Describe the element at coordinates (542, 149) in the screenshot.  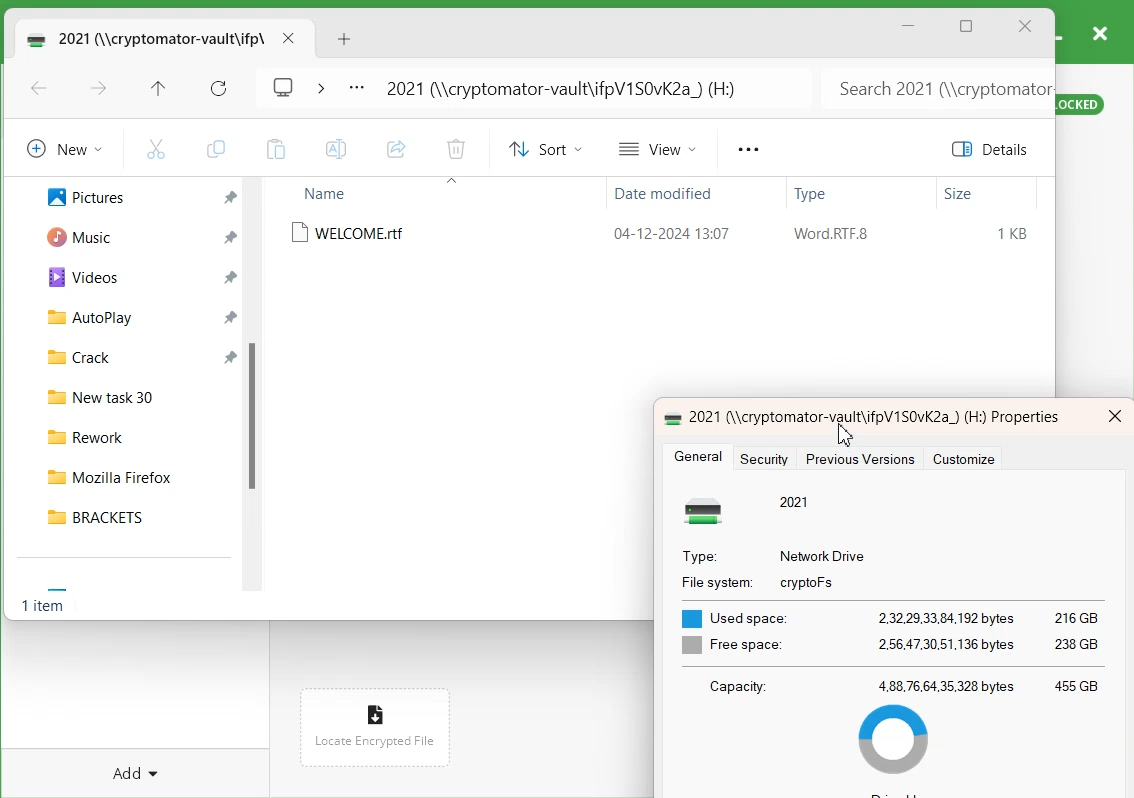
I see `Sort` at that location.